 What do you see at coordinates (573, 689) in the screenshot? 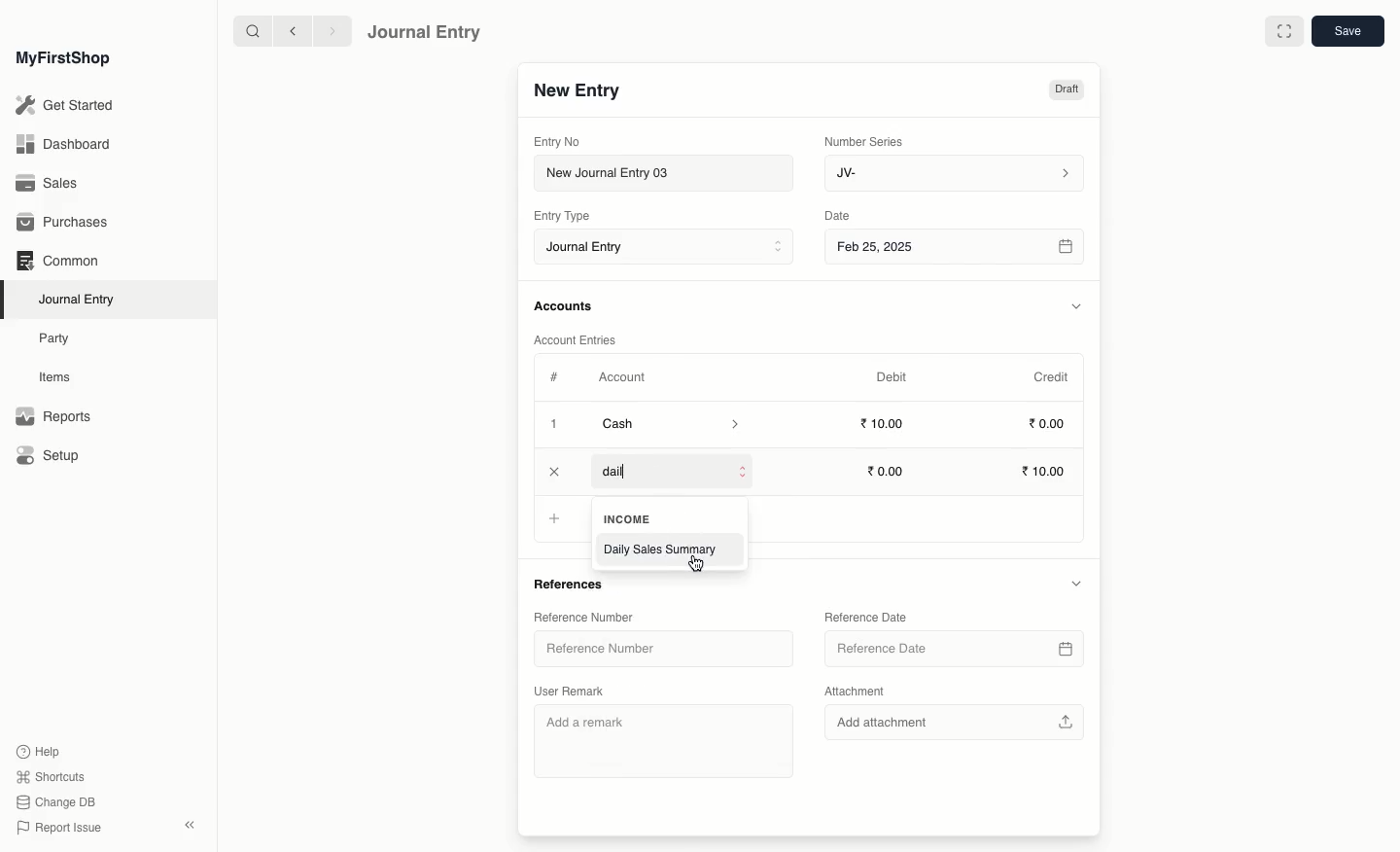
I see `User Remark` at bounding box center [573, 689].